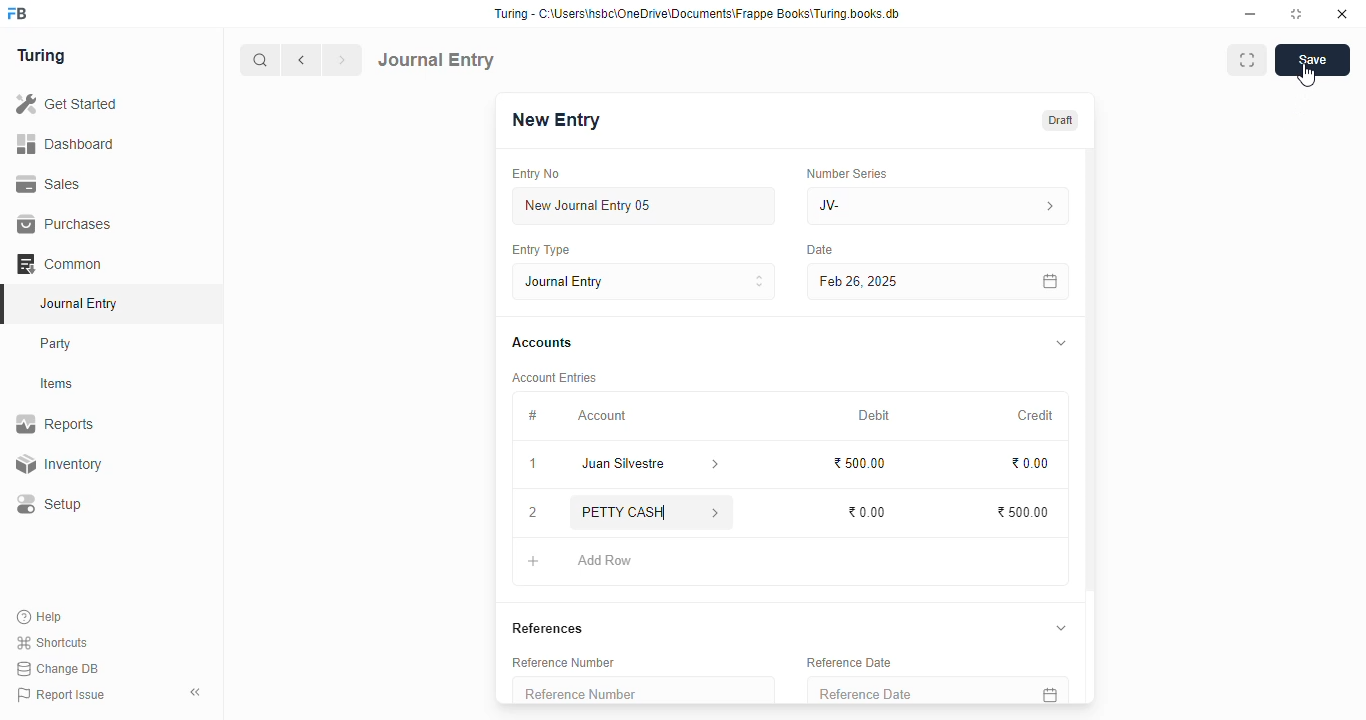  What do you see at coordinates (68, 104) in the screenshot?
I see `get started` at bounding box center [68, 104].